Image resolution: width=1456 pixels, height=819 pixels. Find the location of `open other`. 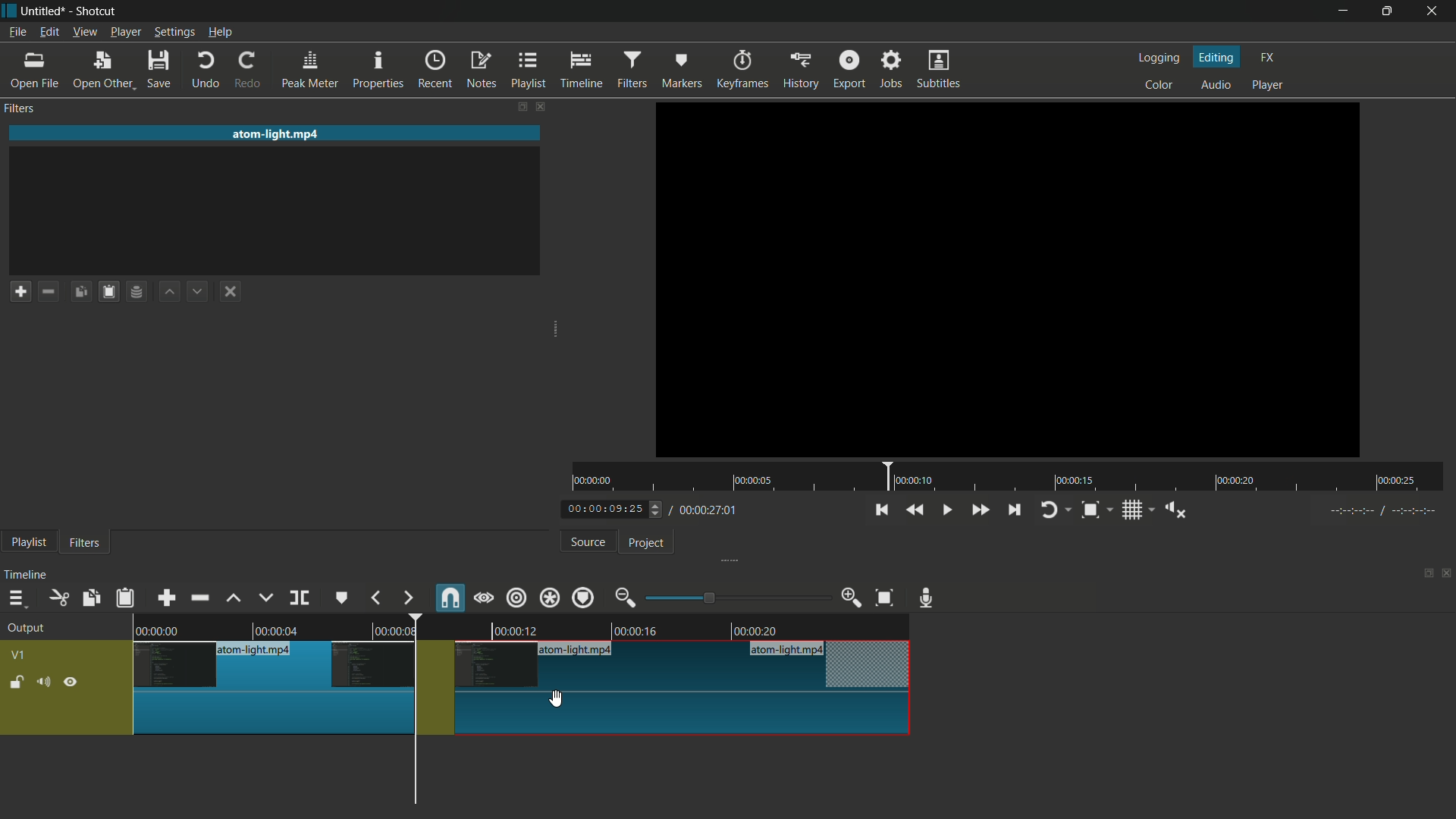

open other is located at coordinates (104, 71).